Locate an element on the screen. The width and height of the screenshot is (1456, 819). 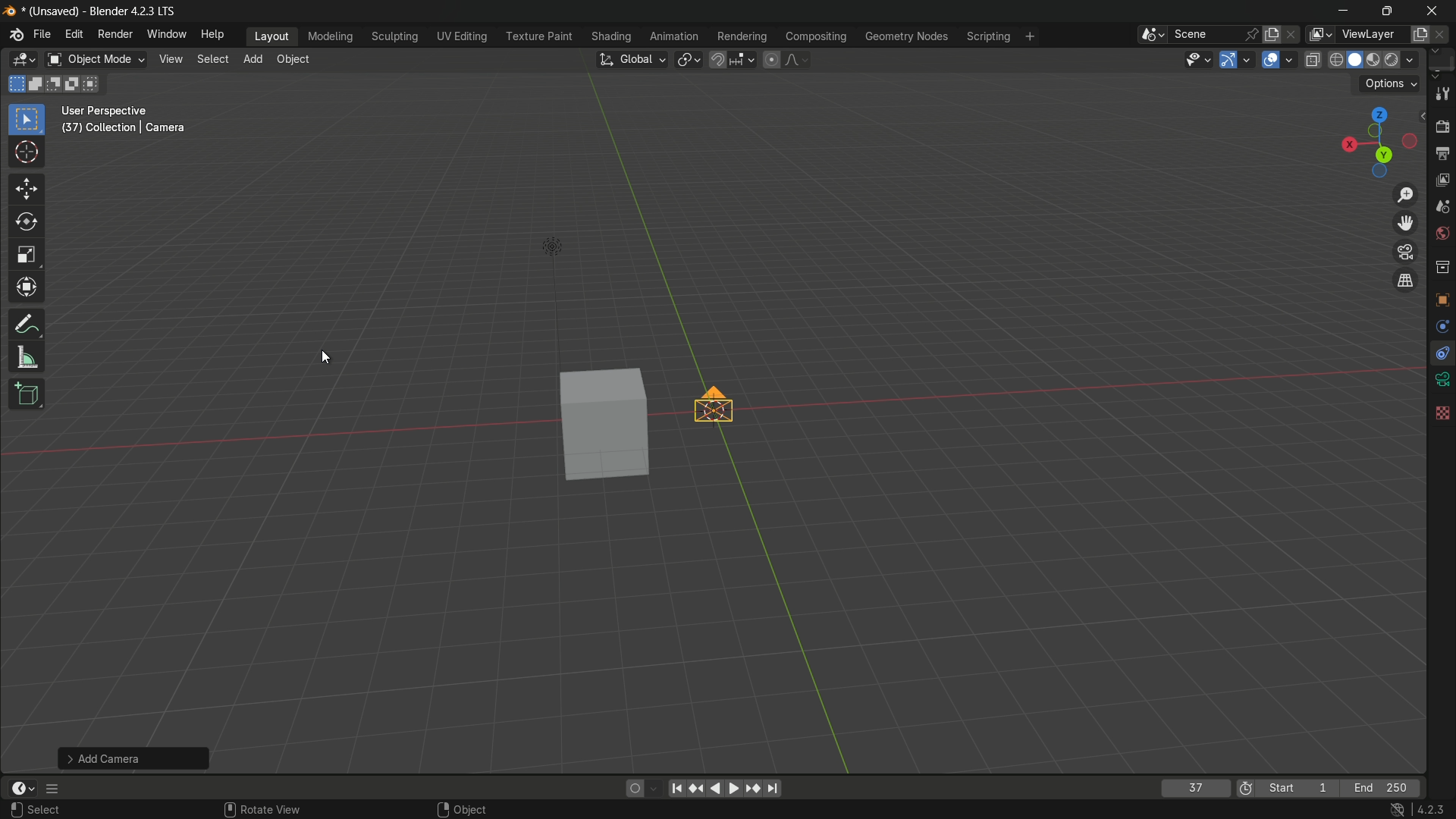
tools is located at coordinates (1442, 93).